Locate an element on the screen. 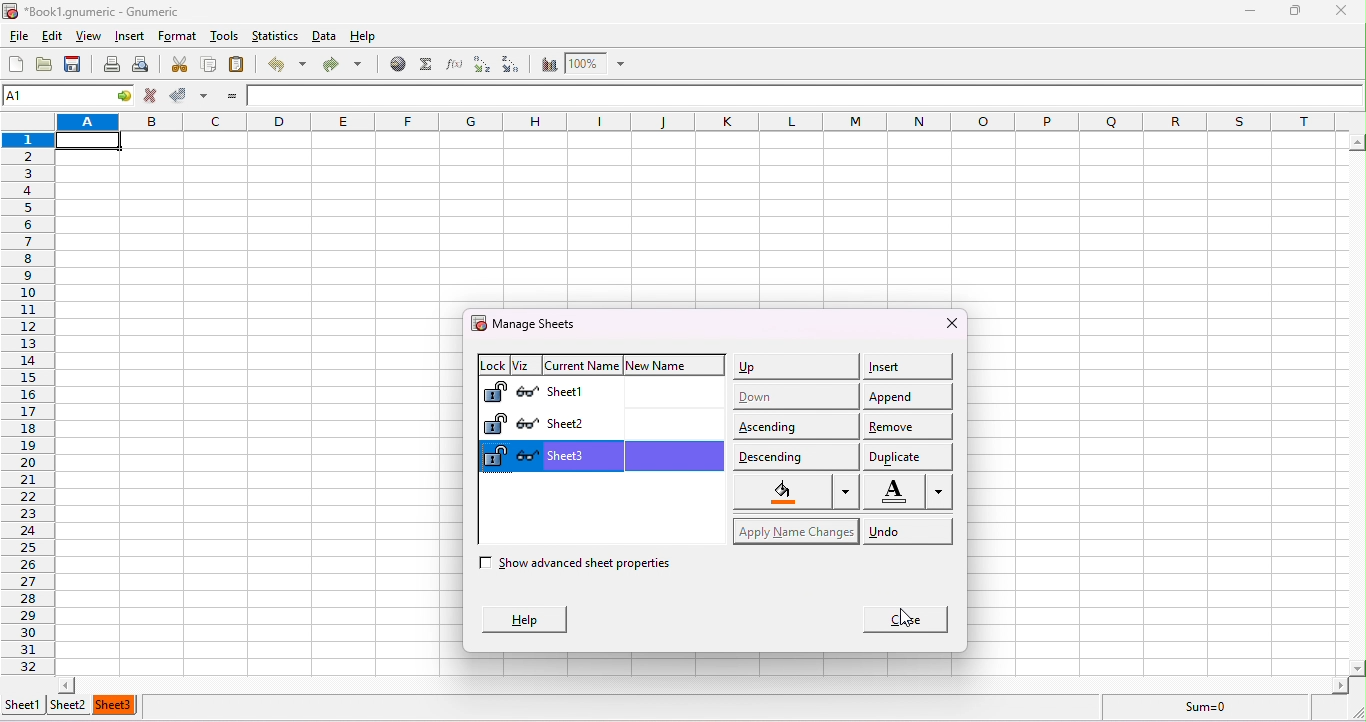  Lock sheet 1 is located at coordinates (495, 393).